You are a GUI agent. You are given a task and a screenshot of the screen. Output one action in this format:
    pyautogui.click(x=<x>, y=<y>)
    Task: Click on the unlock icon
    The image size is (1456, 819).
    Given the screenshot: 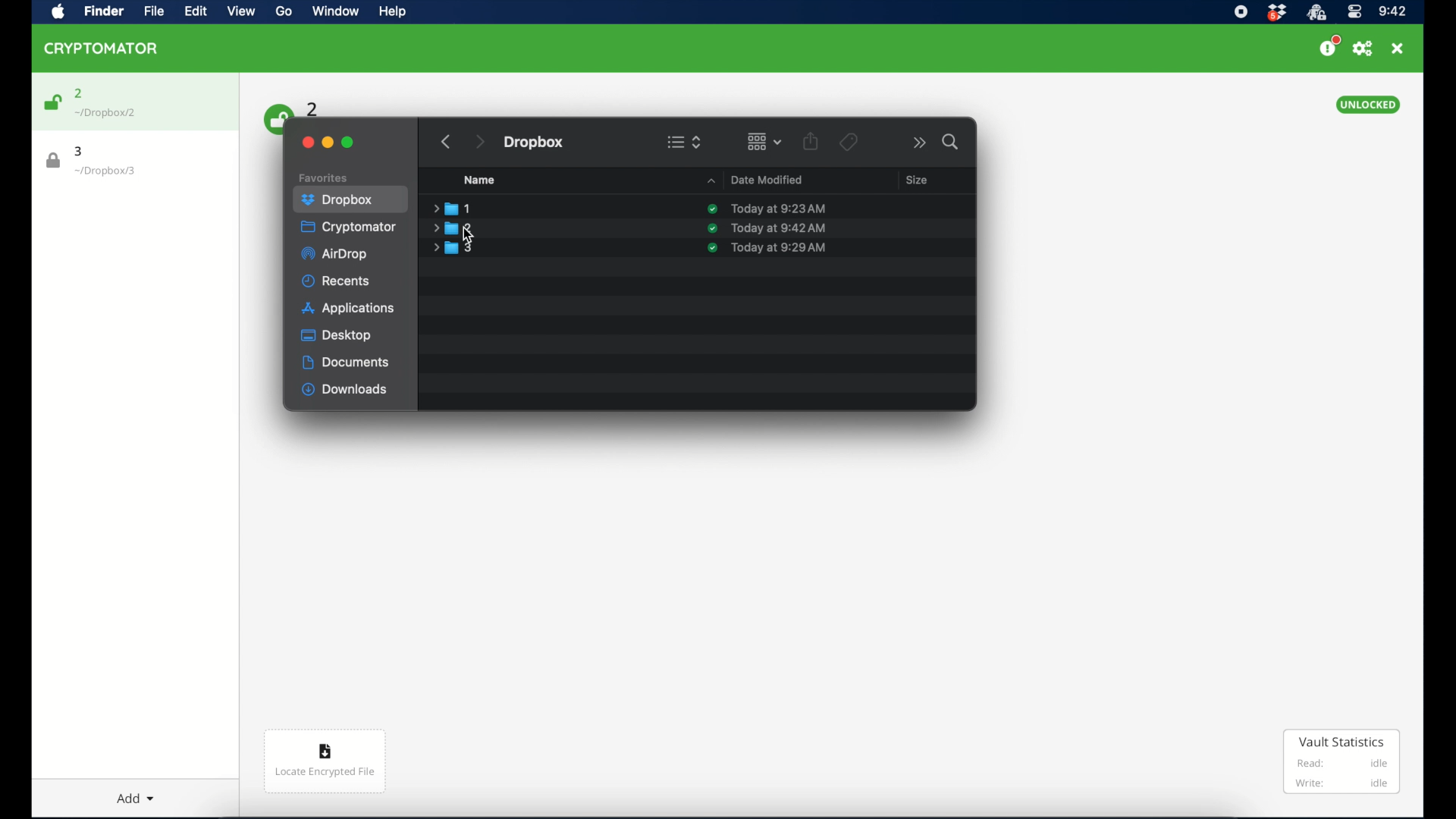 What is the action you would take?
    pyautogui.click(x=275, y=118)
    